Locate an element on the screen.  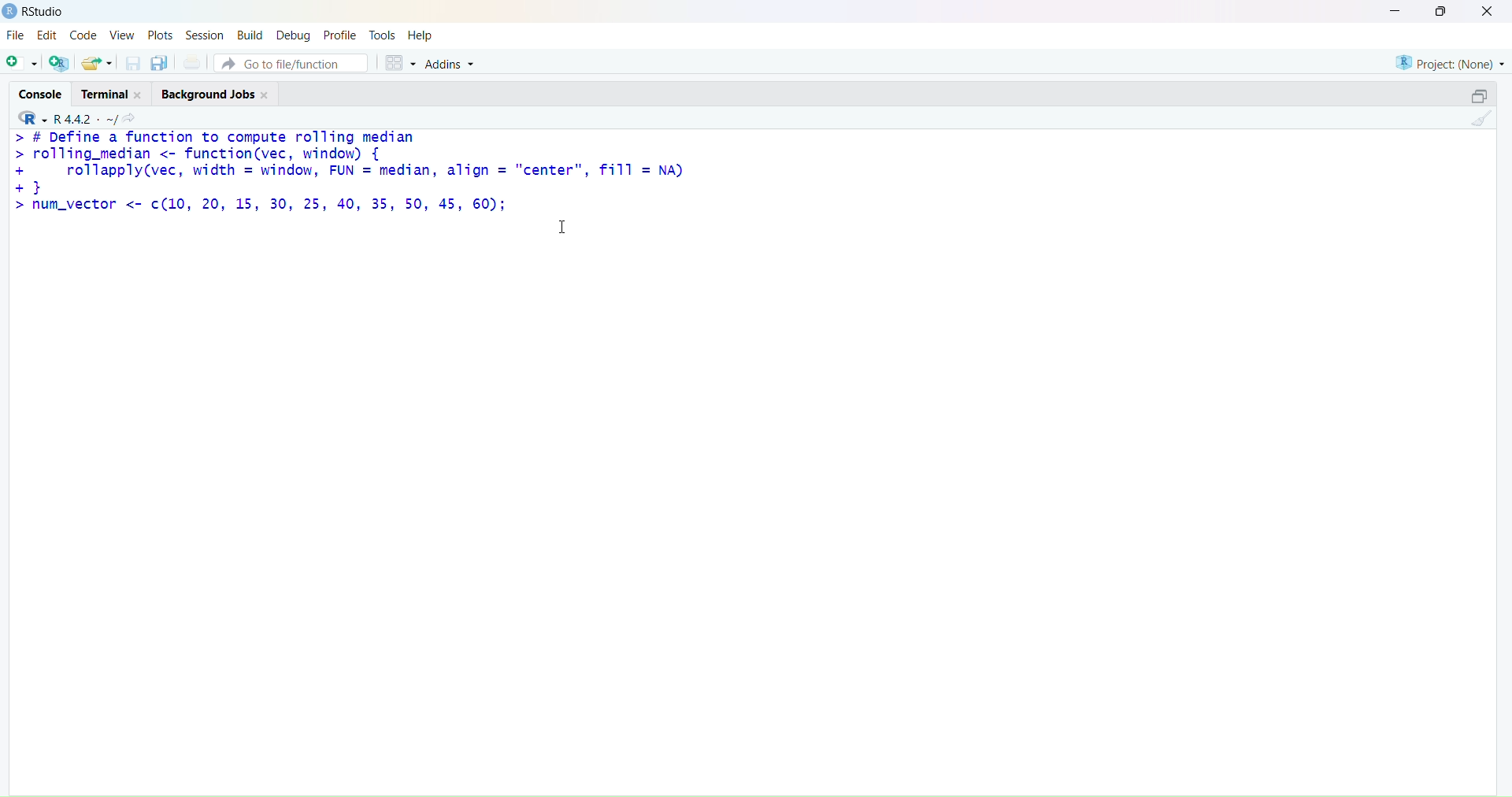
cursor is located at coordinates (564, 226).